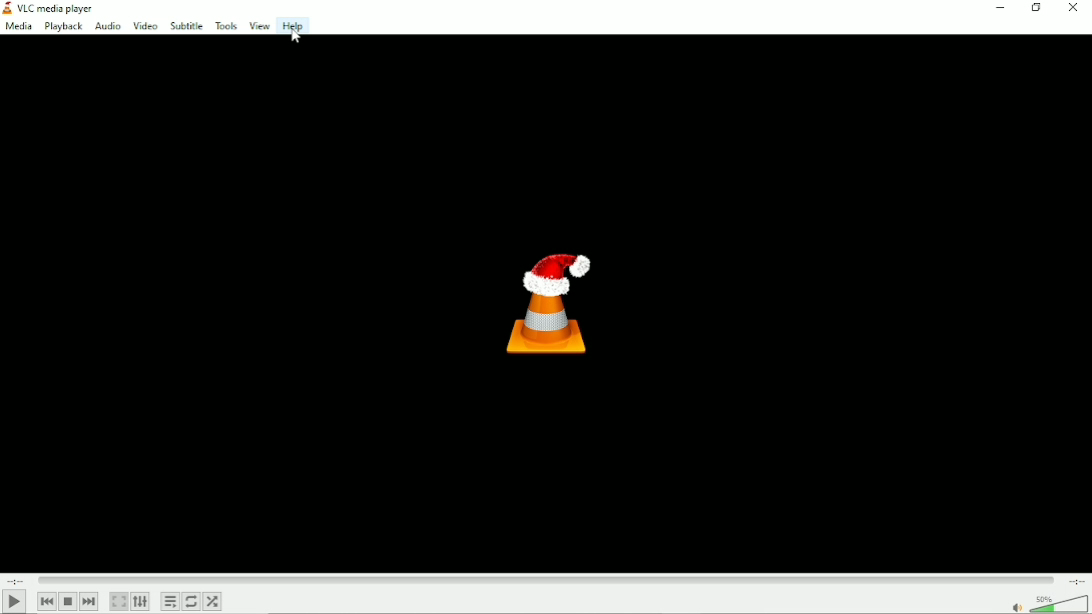 Image resolution: width=1092 pixels, height=614 pixels. Describe the element at coordinates (13, 601) in the screenshot. I see `Play` at that location.